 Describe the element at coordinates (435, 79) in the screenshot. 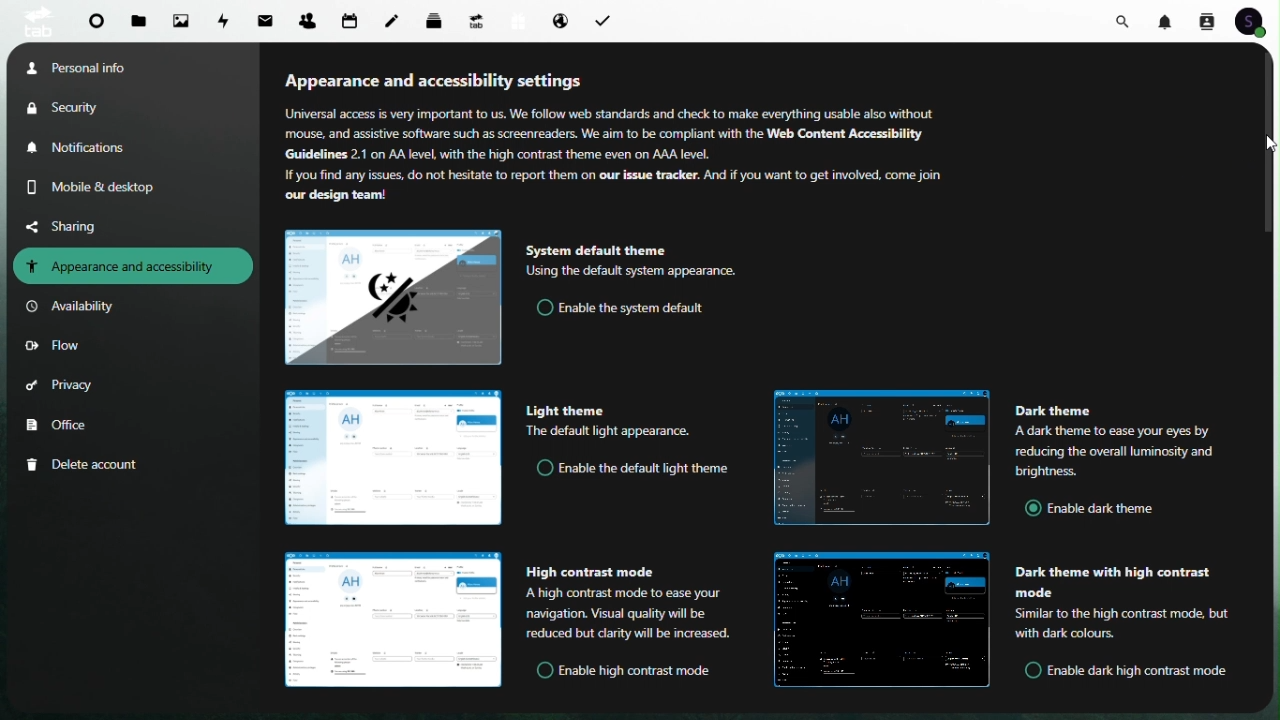

I see `Appearance and accessibility settings` at that location.